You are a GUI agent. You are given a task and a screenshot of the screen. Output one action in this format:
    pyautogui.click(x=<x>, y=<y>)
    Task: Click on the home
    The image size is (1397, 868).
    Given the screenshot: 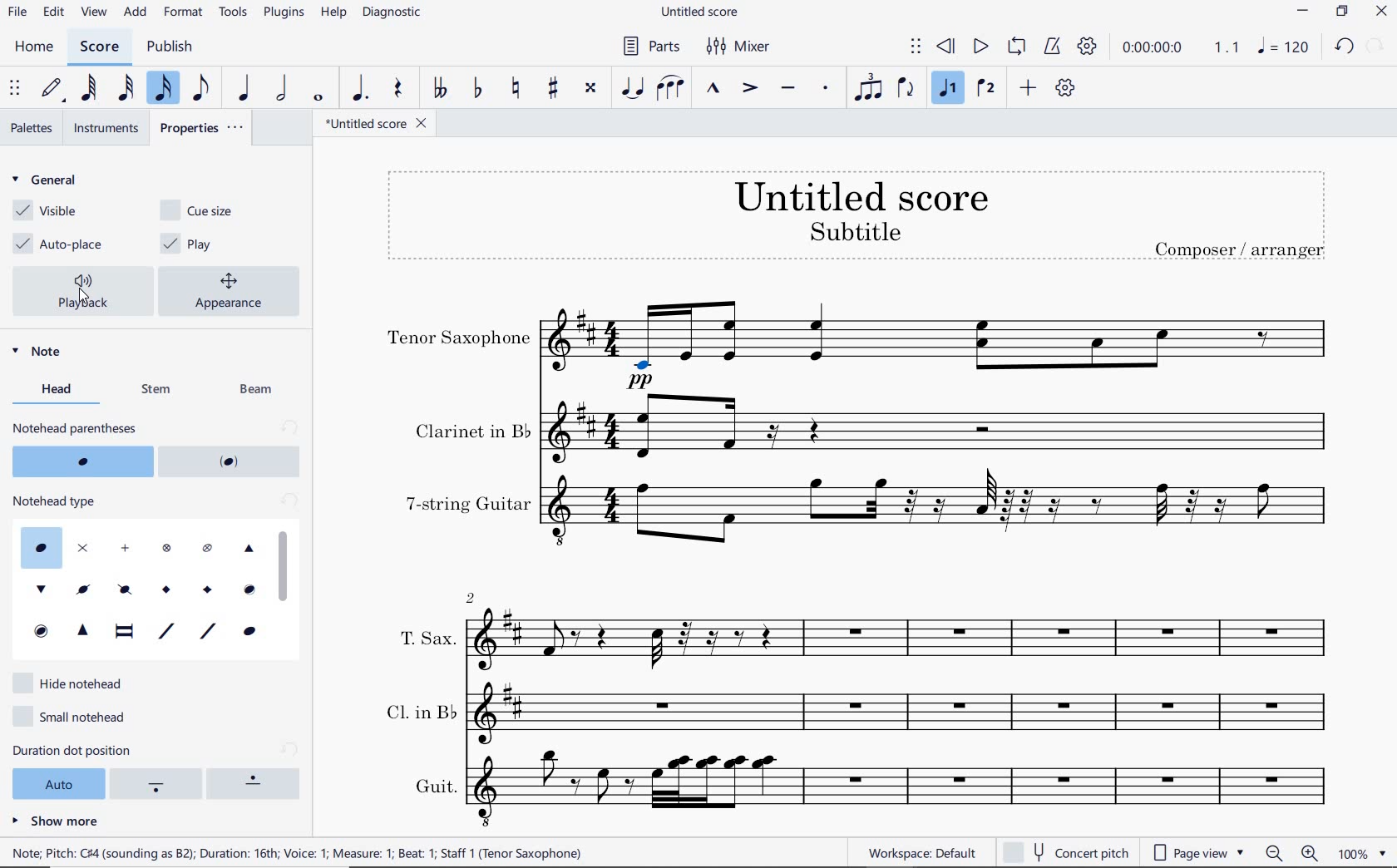 What is the action you would take?
    pyautogui.click(x=33, y=47)
    